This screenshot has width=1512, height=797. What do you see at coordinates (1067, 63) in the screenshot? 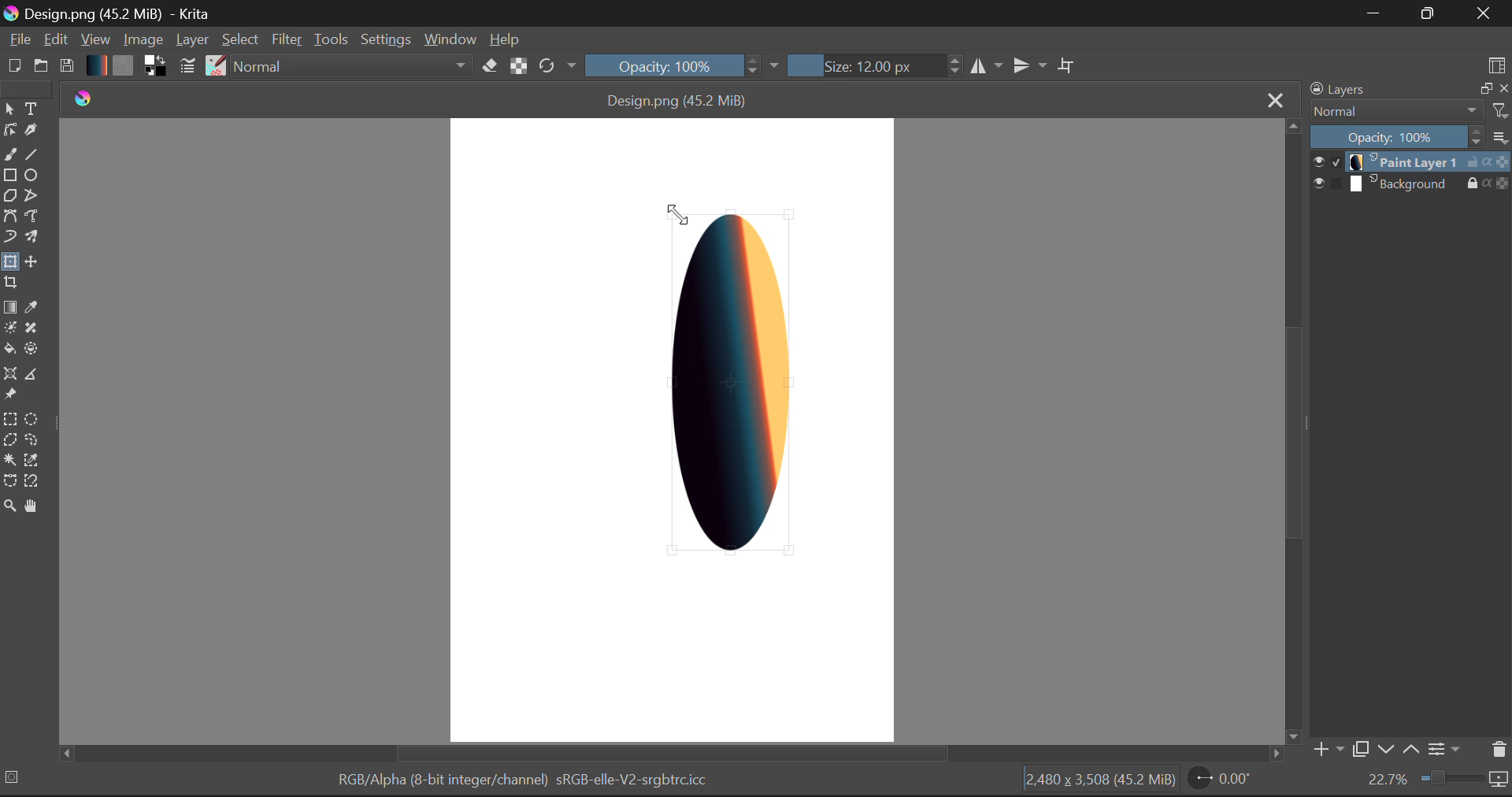
I see `Crop` at bounding box center [1067, 63].